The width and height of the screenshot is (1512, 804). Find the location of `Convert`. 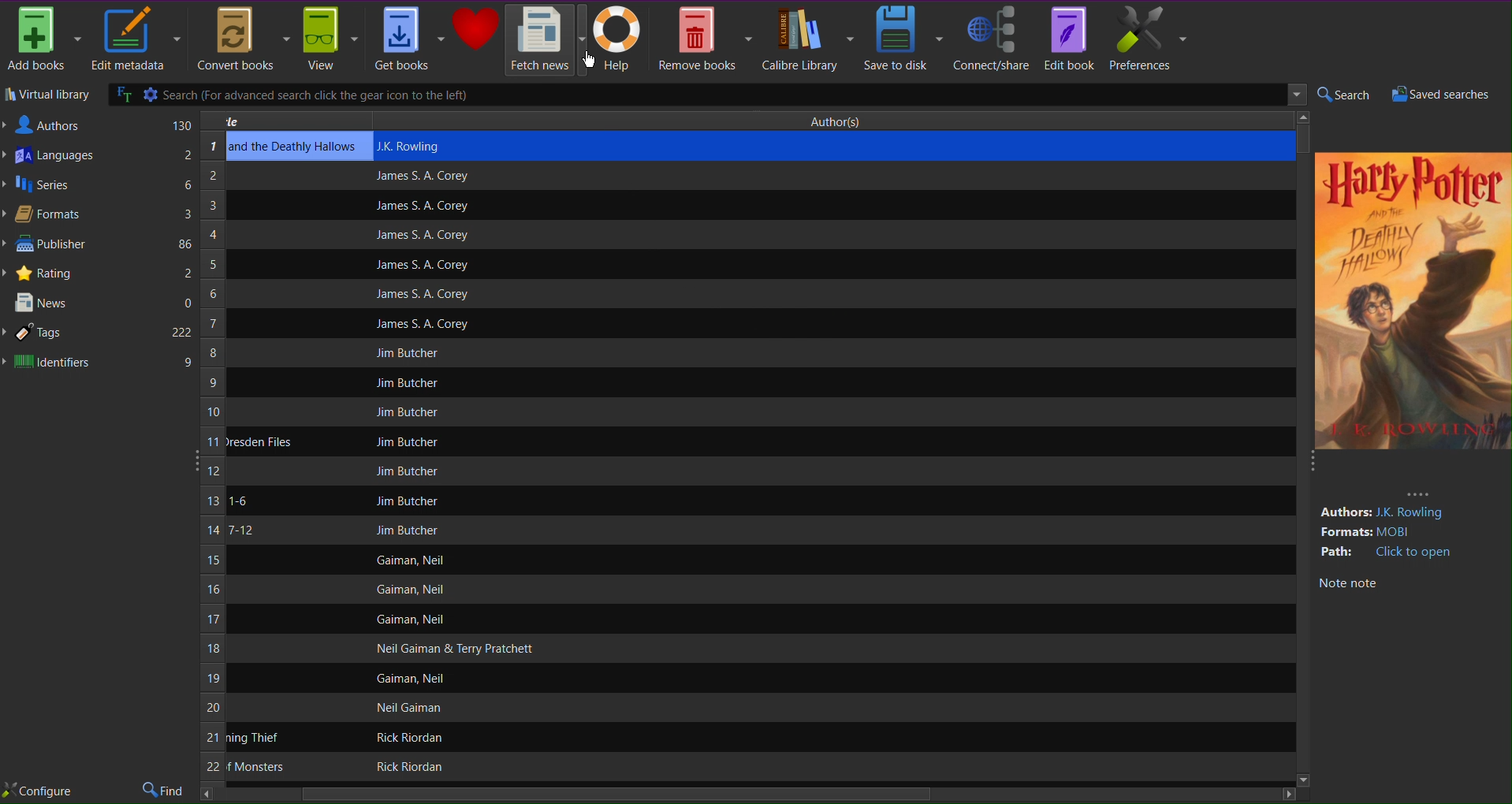

Convert is located at coordinates (240, 39).